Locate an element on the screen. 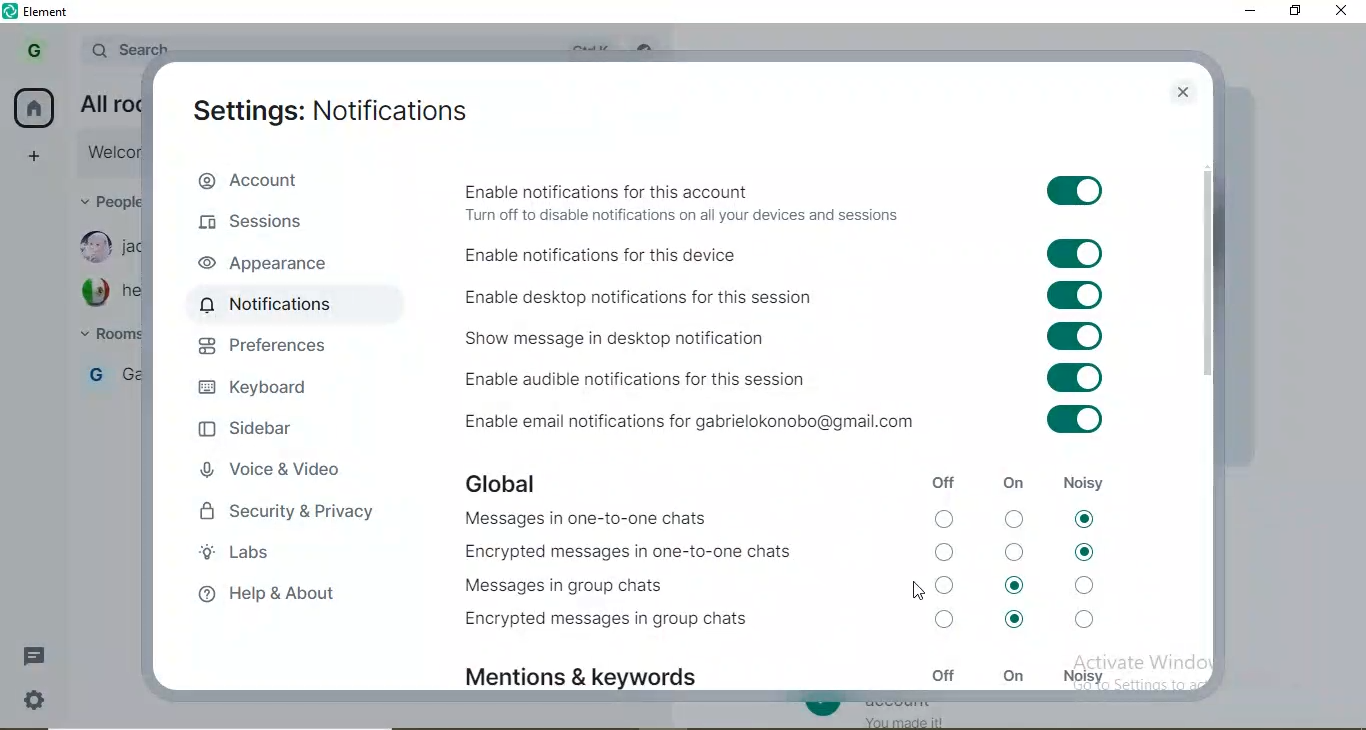 The width and height of the screenshot is (1366, 730). labs is located at coordinates (296, 556).